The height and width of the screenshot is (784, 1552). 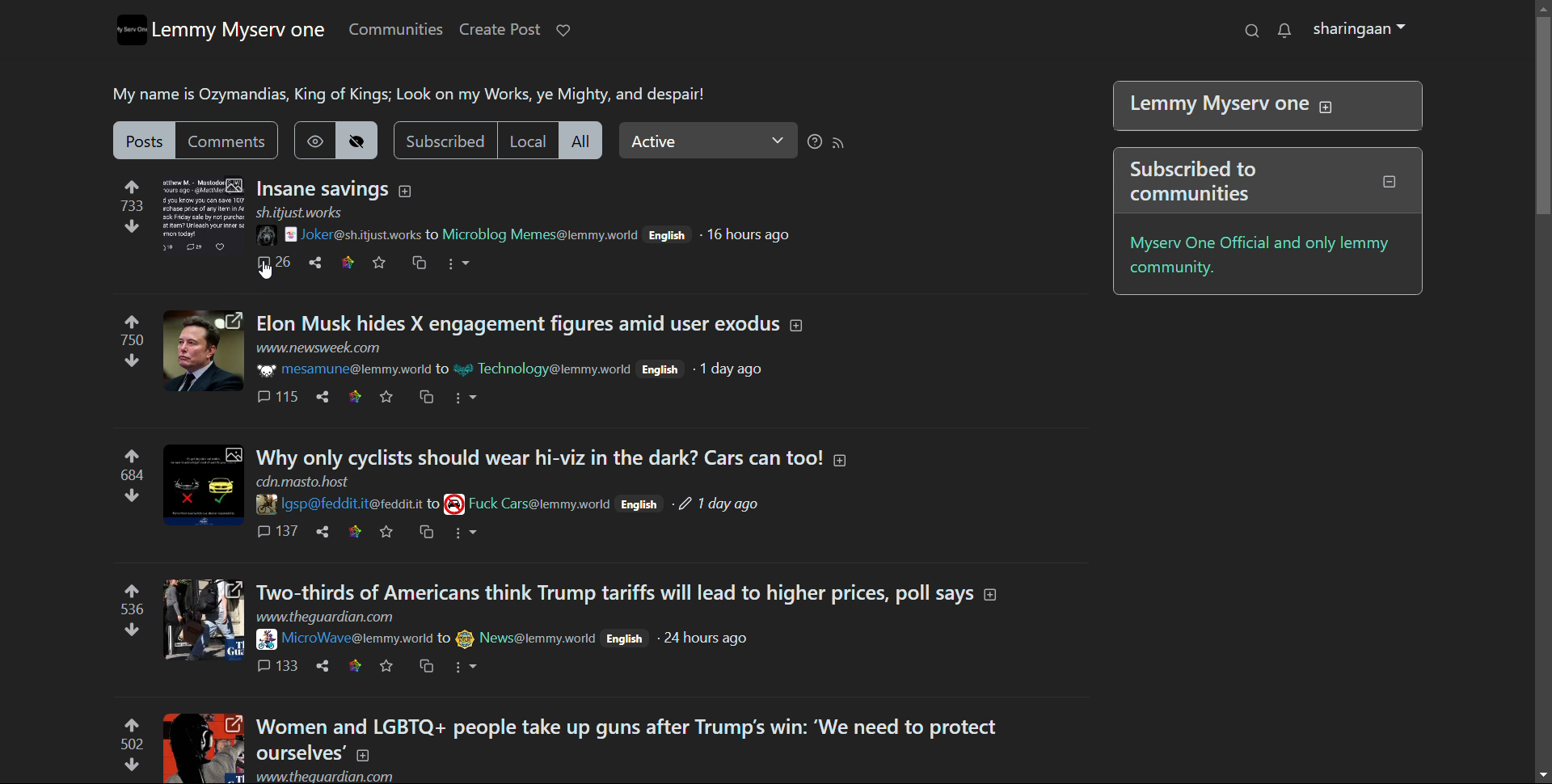 What do you see at coordinates (128, 474) in the screenshot?
I see `684` at bounding box center [128, 474].